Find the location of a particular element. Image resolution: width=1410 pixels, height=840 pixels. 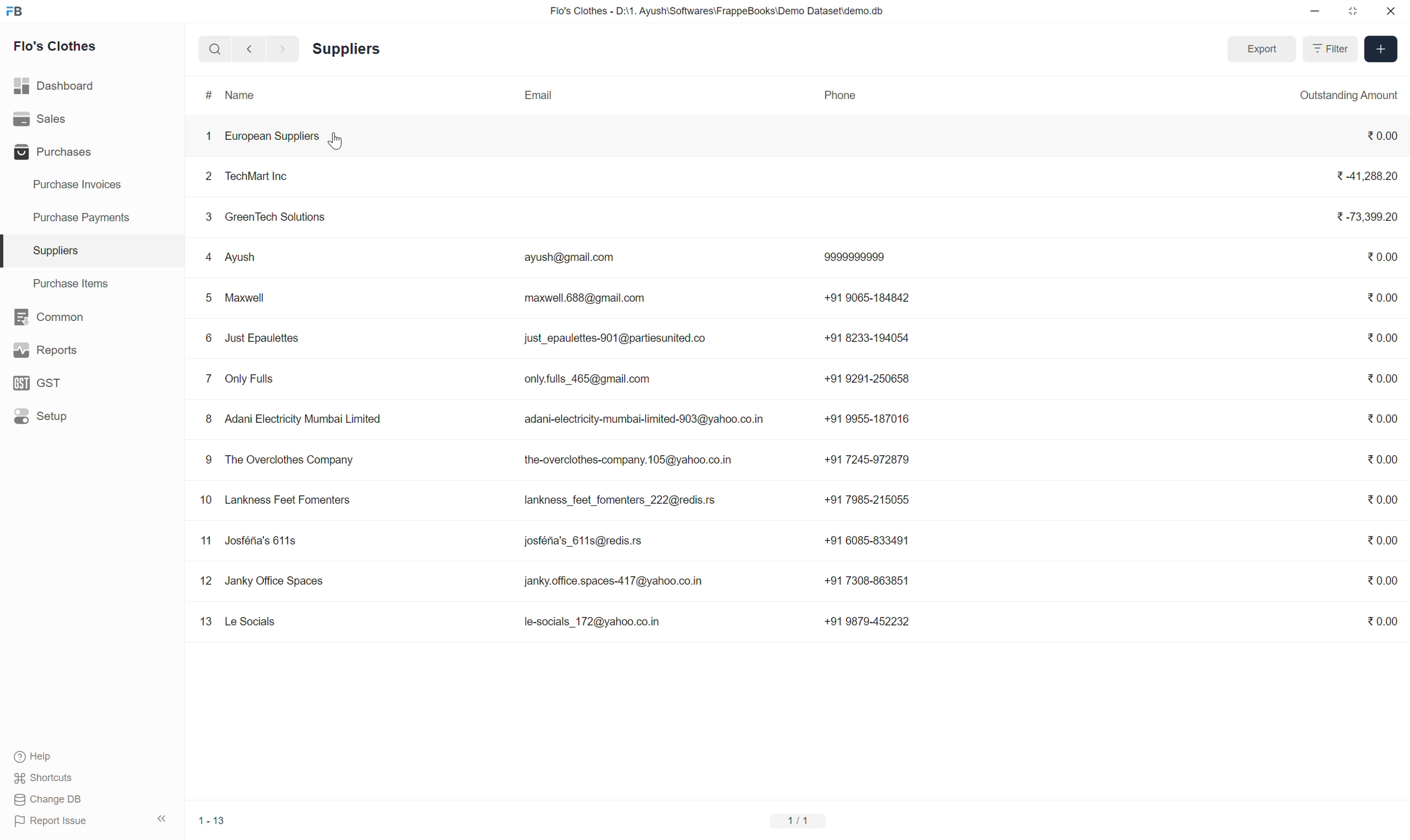

the-overclothes-company.105@yahoo.co.in is located at coordinates (610, 461).